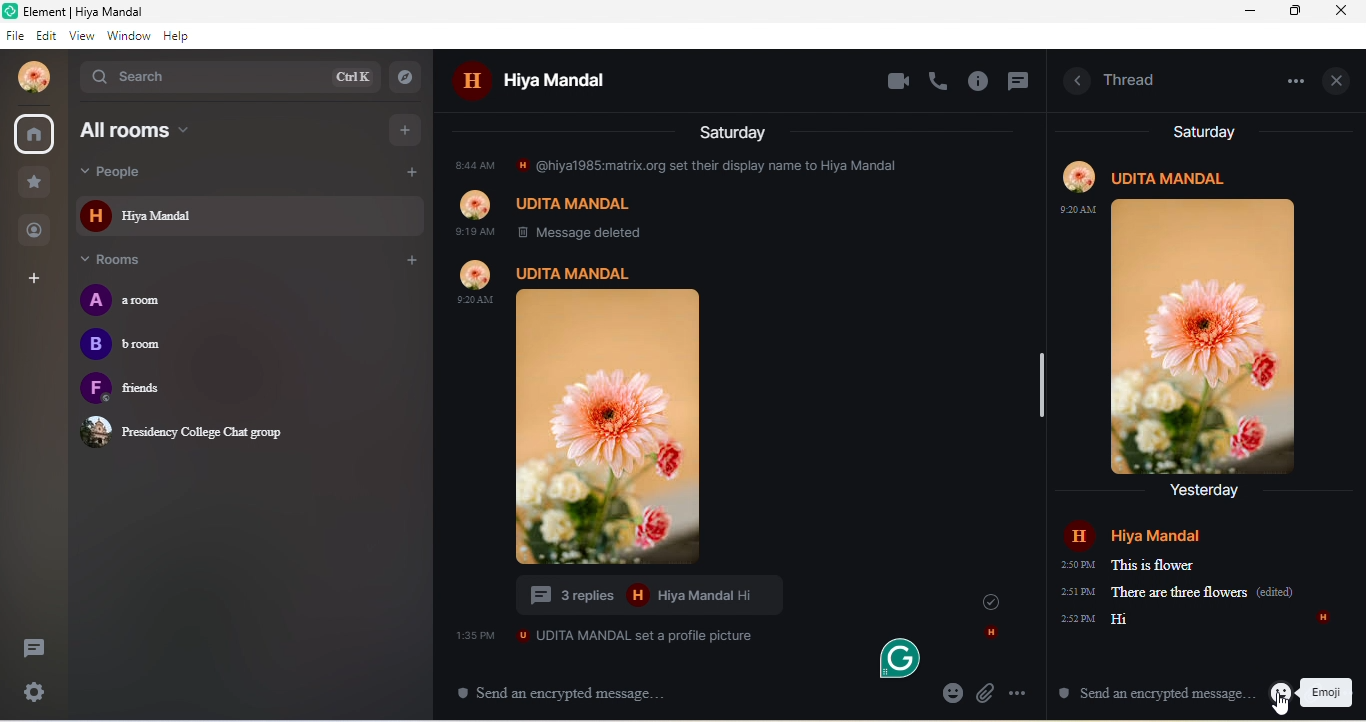  What do you see at coordinates (228, 76) in the screenshot?
I see `search` at bounding box center [228, 76].